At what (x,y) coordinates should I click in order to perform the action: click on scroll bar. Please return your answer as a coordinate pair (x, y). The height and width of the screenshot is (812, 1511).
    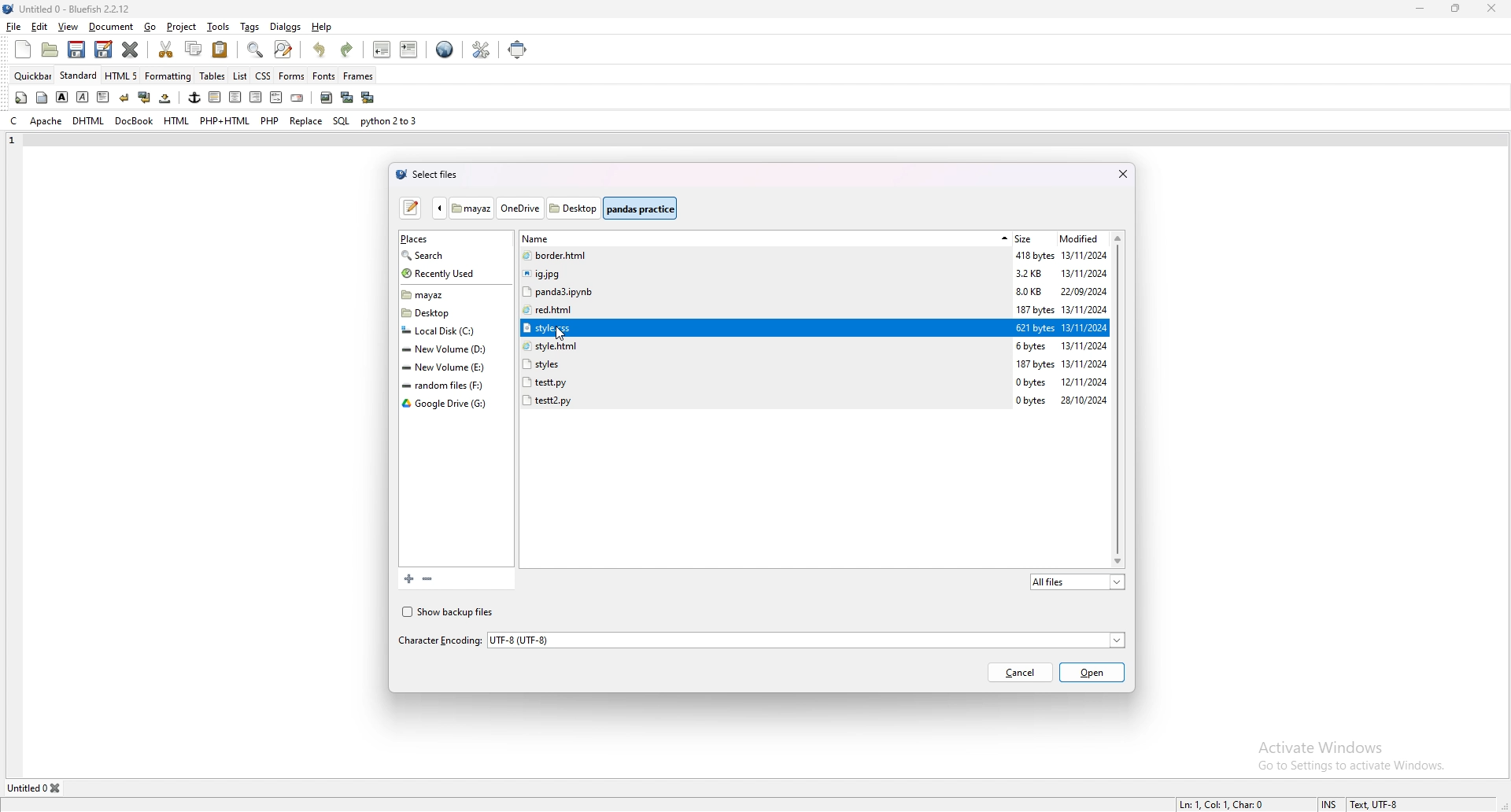
    Looking at the image, I should click on (1119, 400).